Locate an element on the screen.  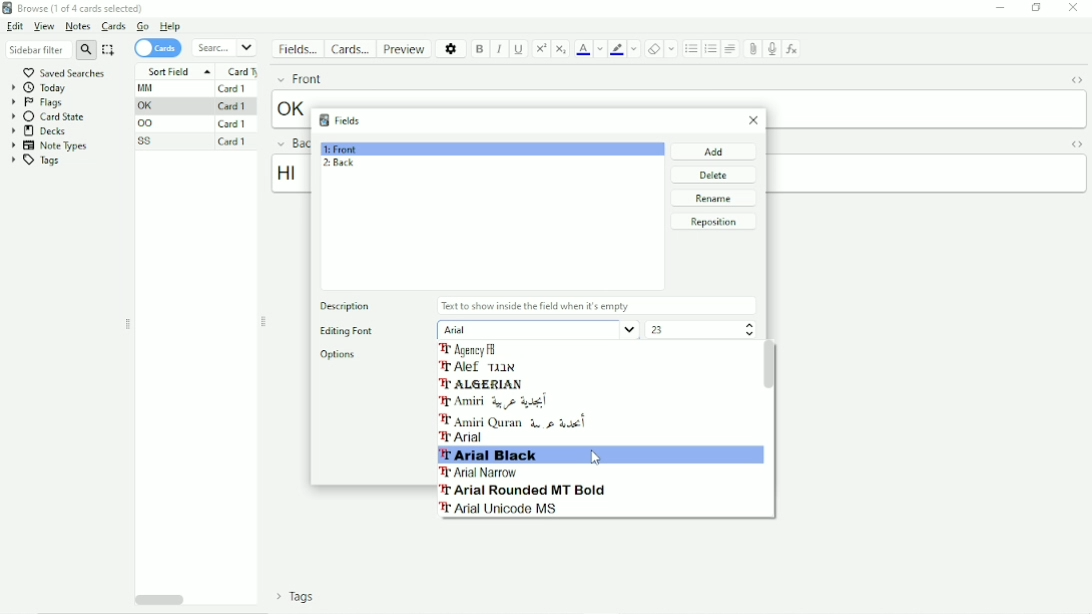
Select formatting to remove is located at coordinates (672, 48).